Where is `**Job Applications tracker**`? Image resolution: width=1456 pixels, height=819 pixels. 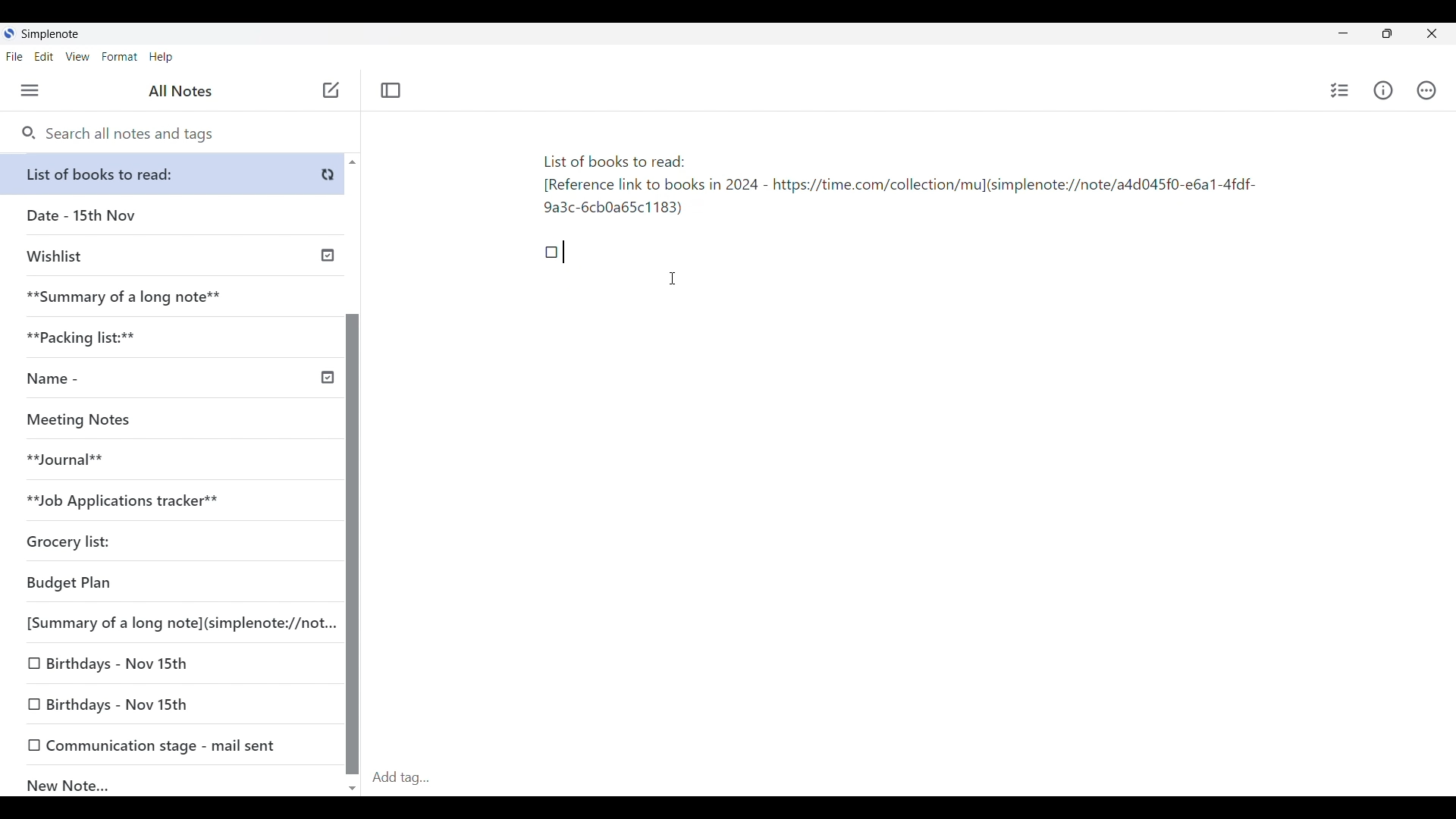
**Job Applications tracker** is located at coordinates (167, 501).